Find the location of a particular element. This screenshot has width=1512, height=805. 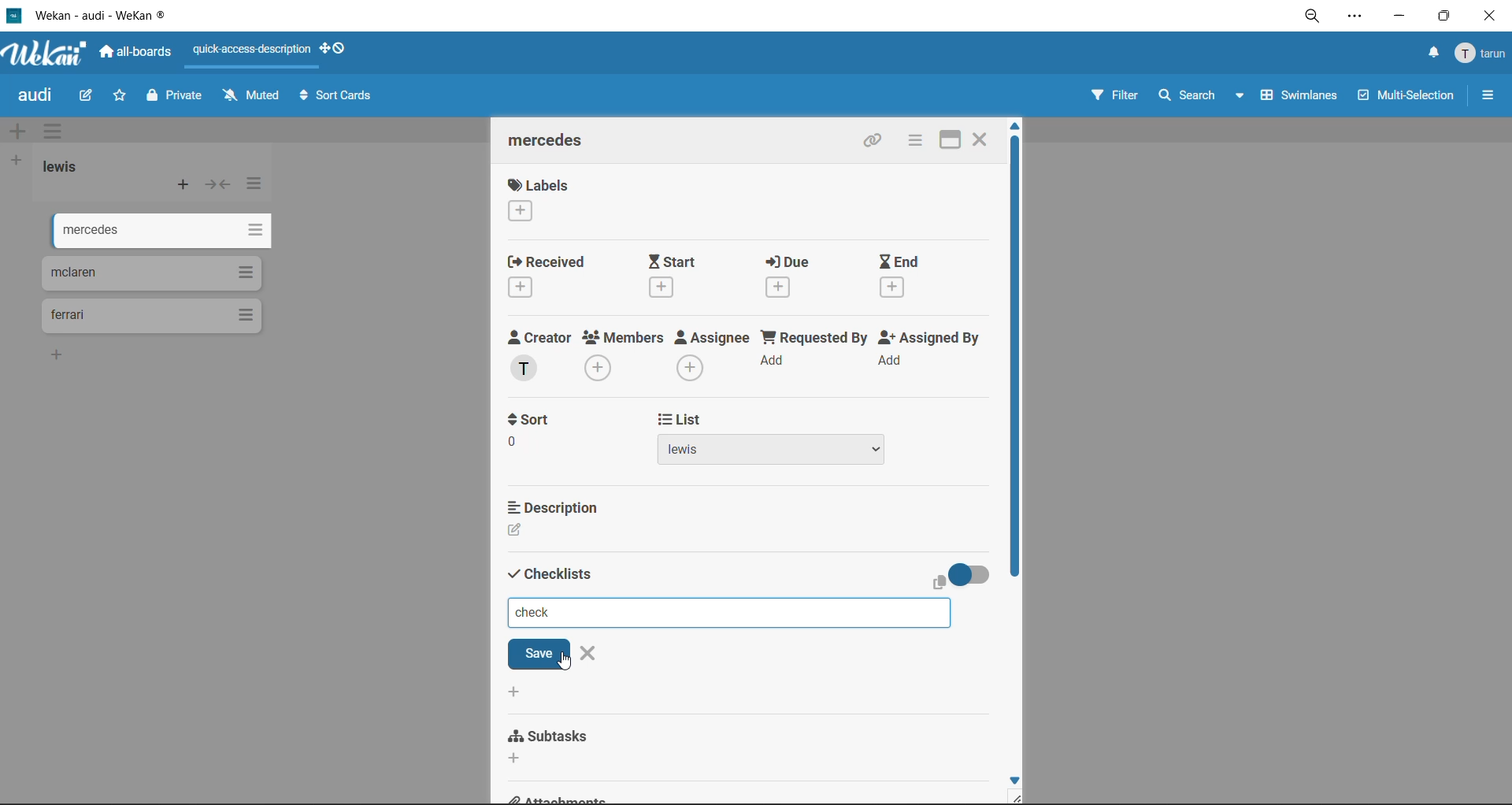

board title is located at coordinates (39, 97).